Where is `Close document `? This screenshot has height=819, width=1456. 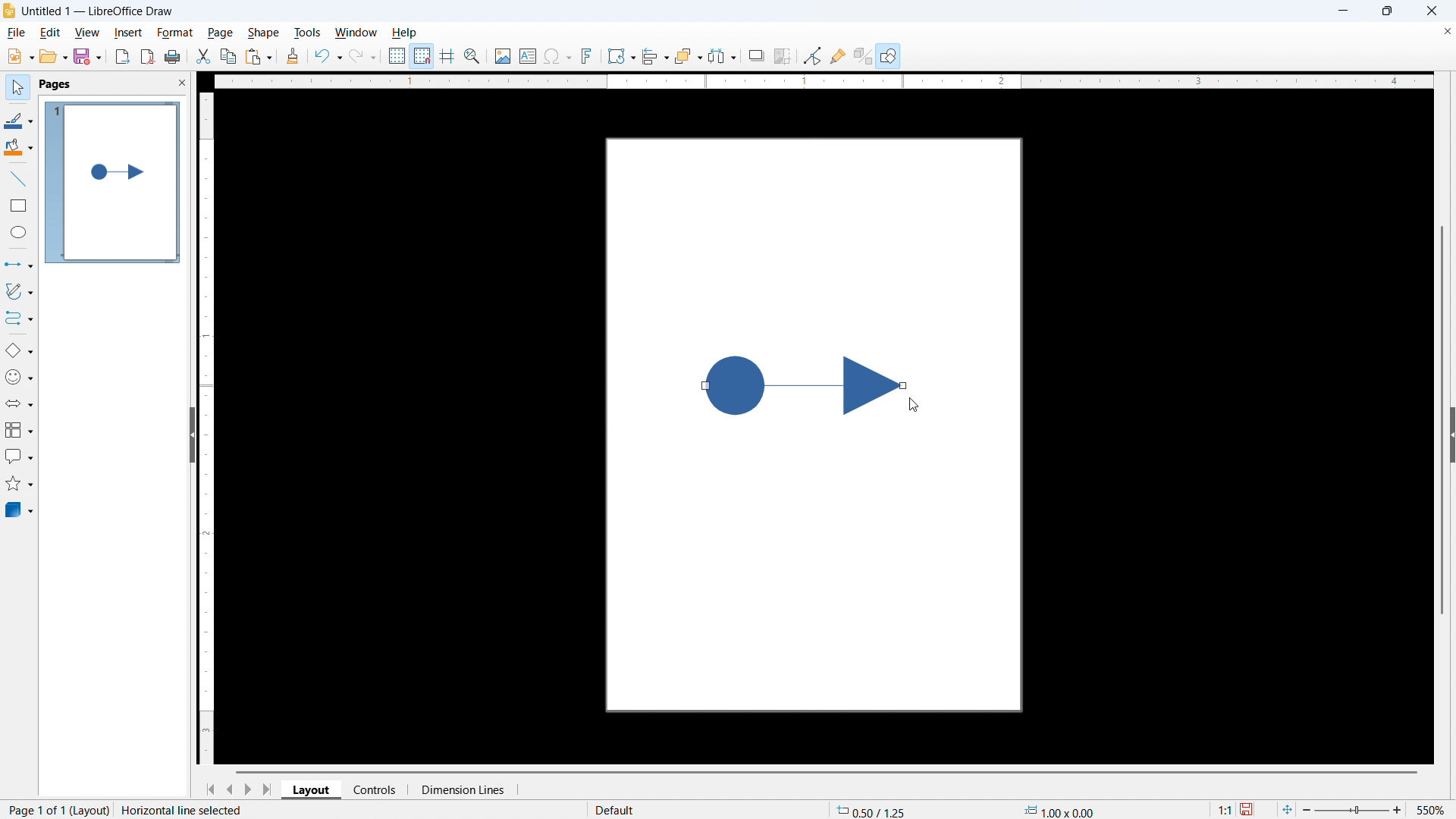
Close document  is located at coordinates (1446, 31).